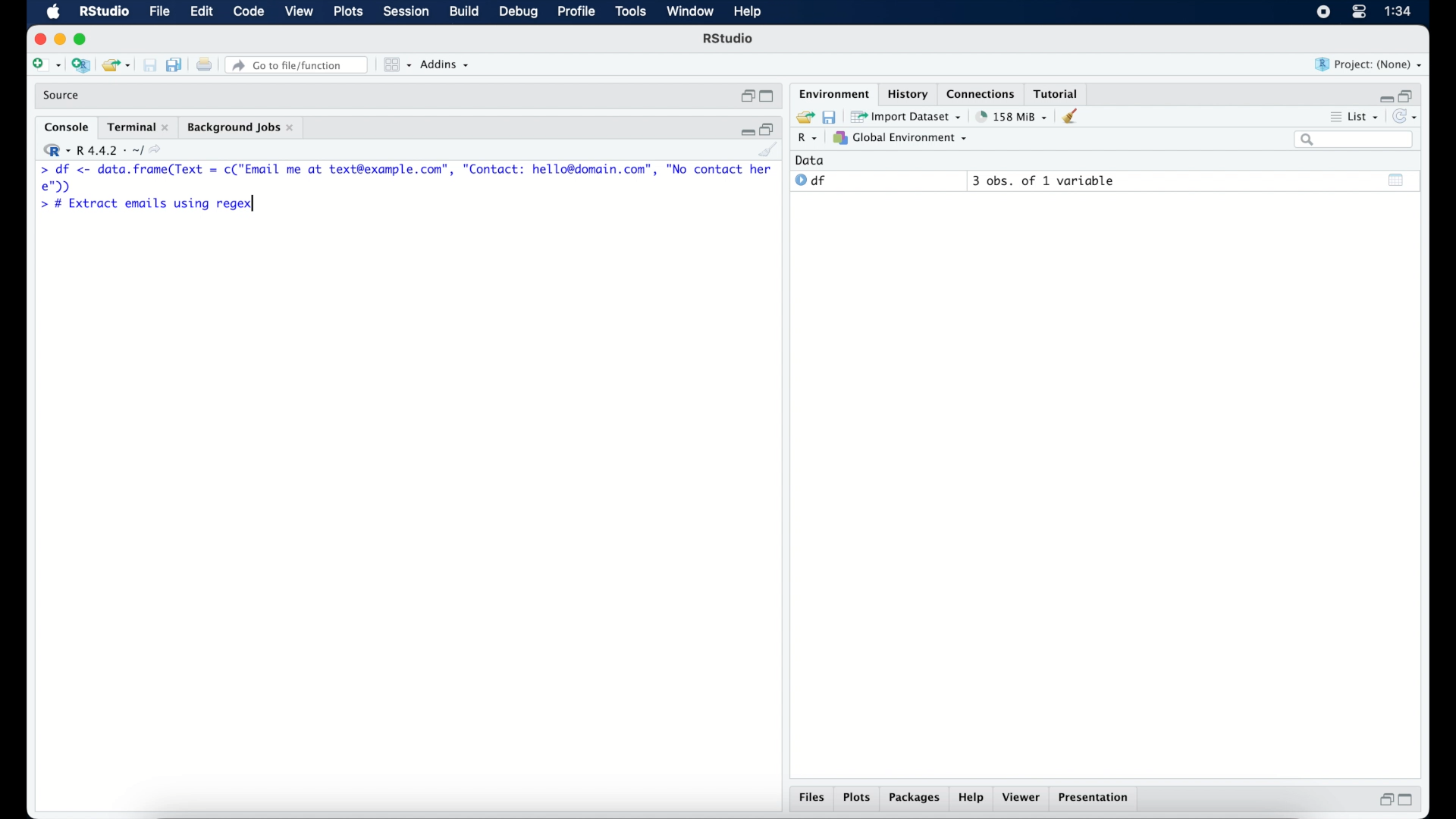 The height and width of the screenshot is (819, 1456). What do you see at coordinates (691, 13) in the screenshot?
I see `window` at bounding box center [691, 13].